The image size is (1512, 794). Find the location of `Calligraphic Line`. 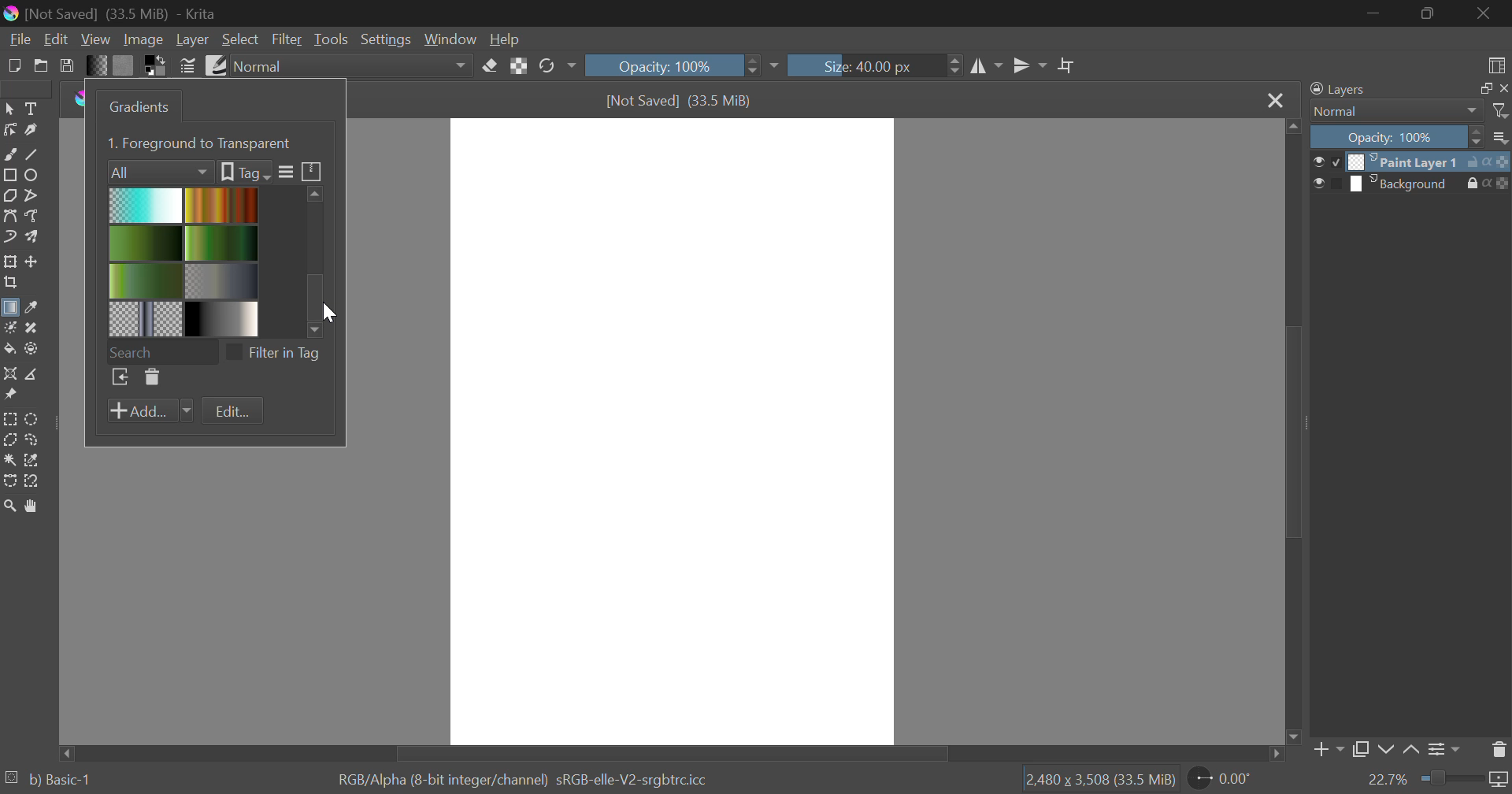

Calligraphic Line is located at coordinates (30, 130).